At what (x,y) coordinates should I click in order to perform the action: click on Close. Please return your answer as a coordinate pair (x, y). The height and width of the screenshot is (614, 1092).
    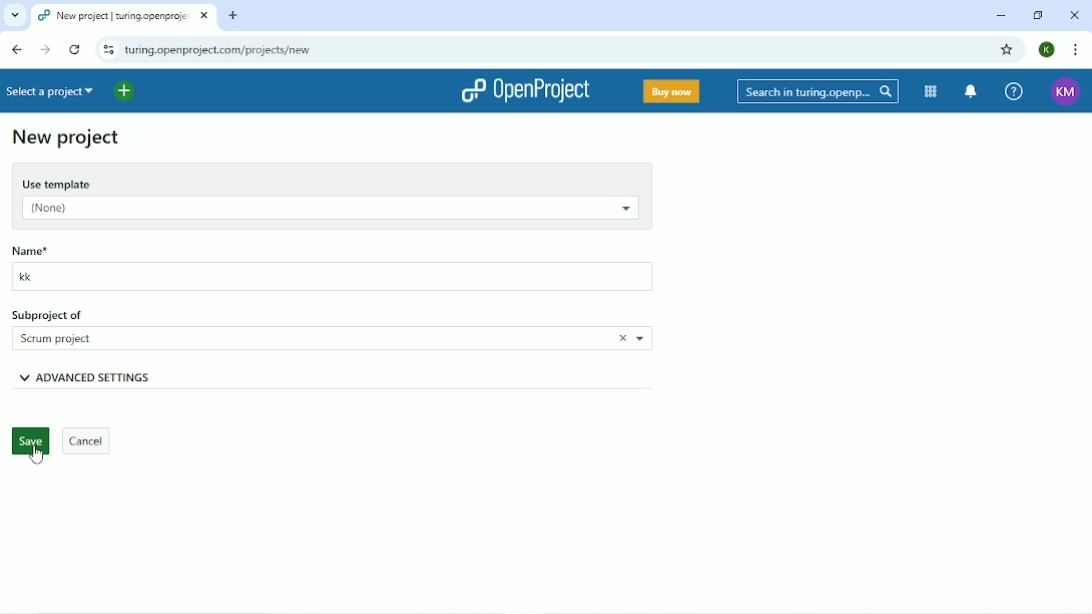
    Looking at the image, I should click on (616, 338).